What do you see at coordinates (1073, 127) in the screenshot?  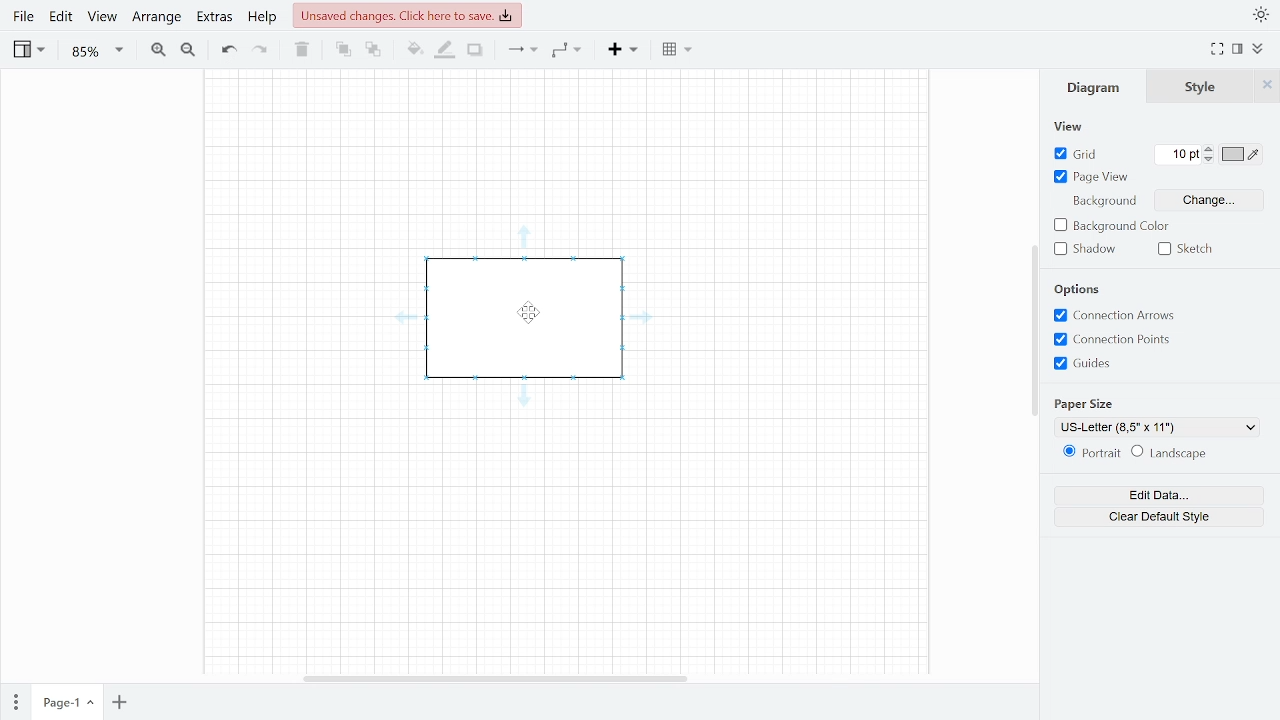 I see `View` at bounding box center [1073, 127].